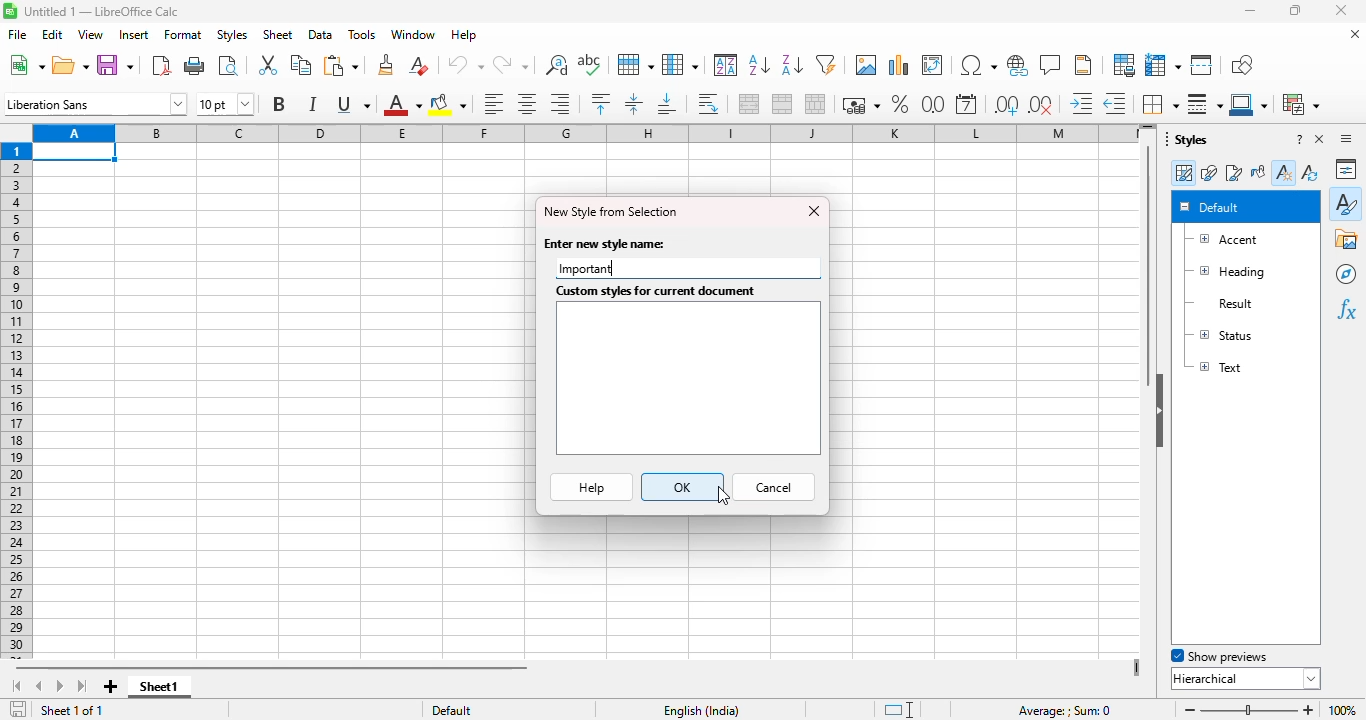 The image size is (1366, 720). I want to click on styles, so click(1347, 202).